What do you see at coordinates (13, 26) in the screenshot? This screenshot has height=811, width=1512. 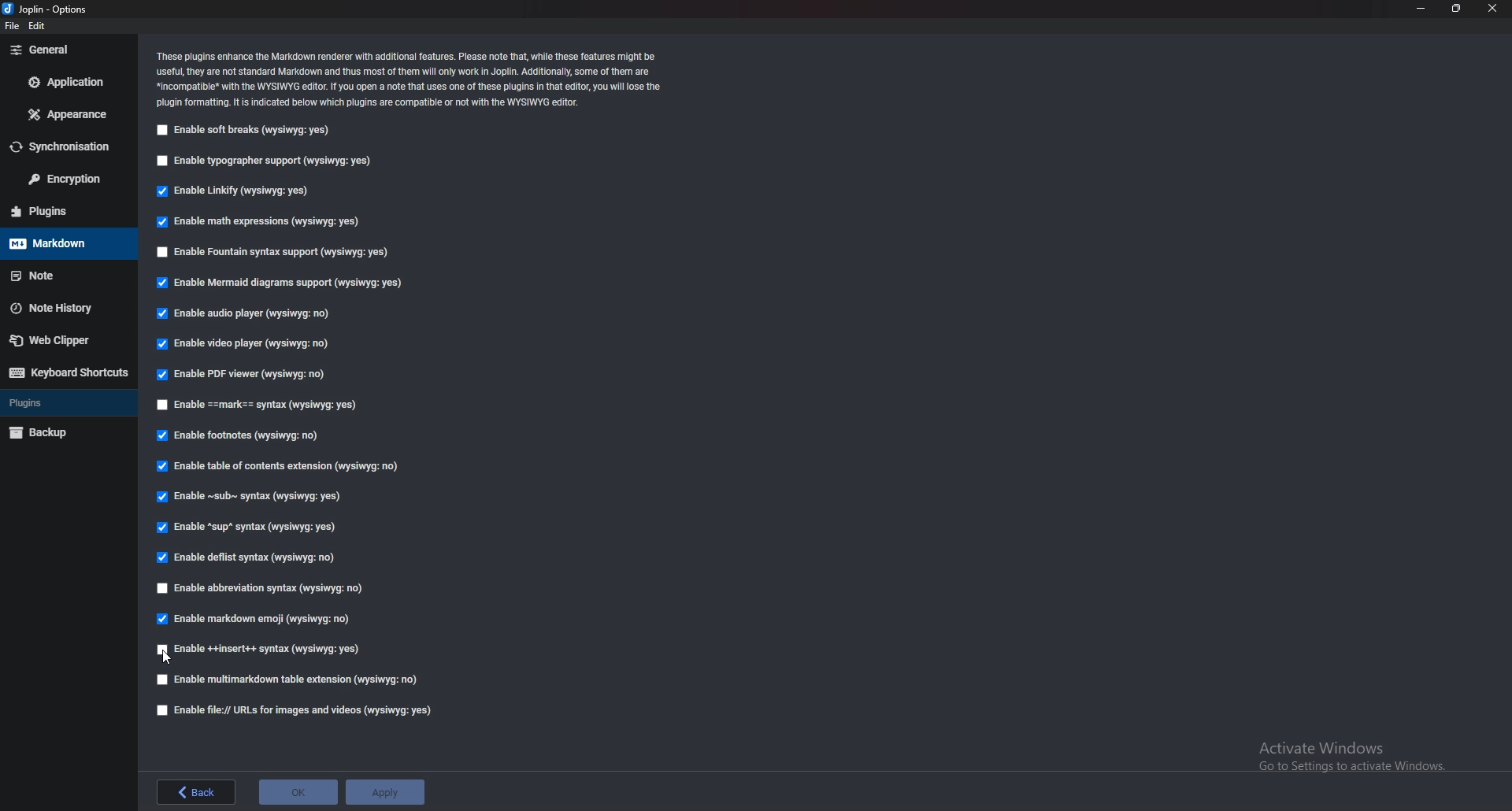 I see `file` at bounding box center [13, 26].